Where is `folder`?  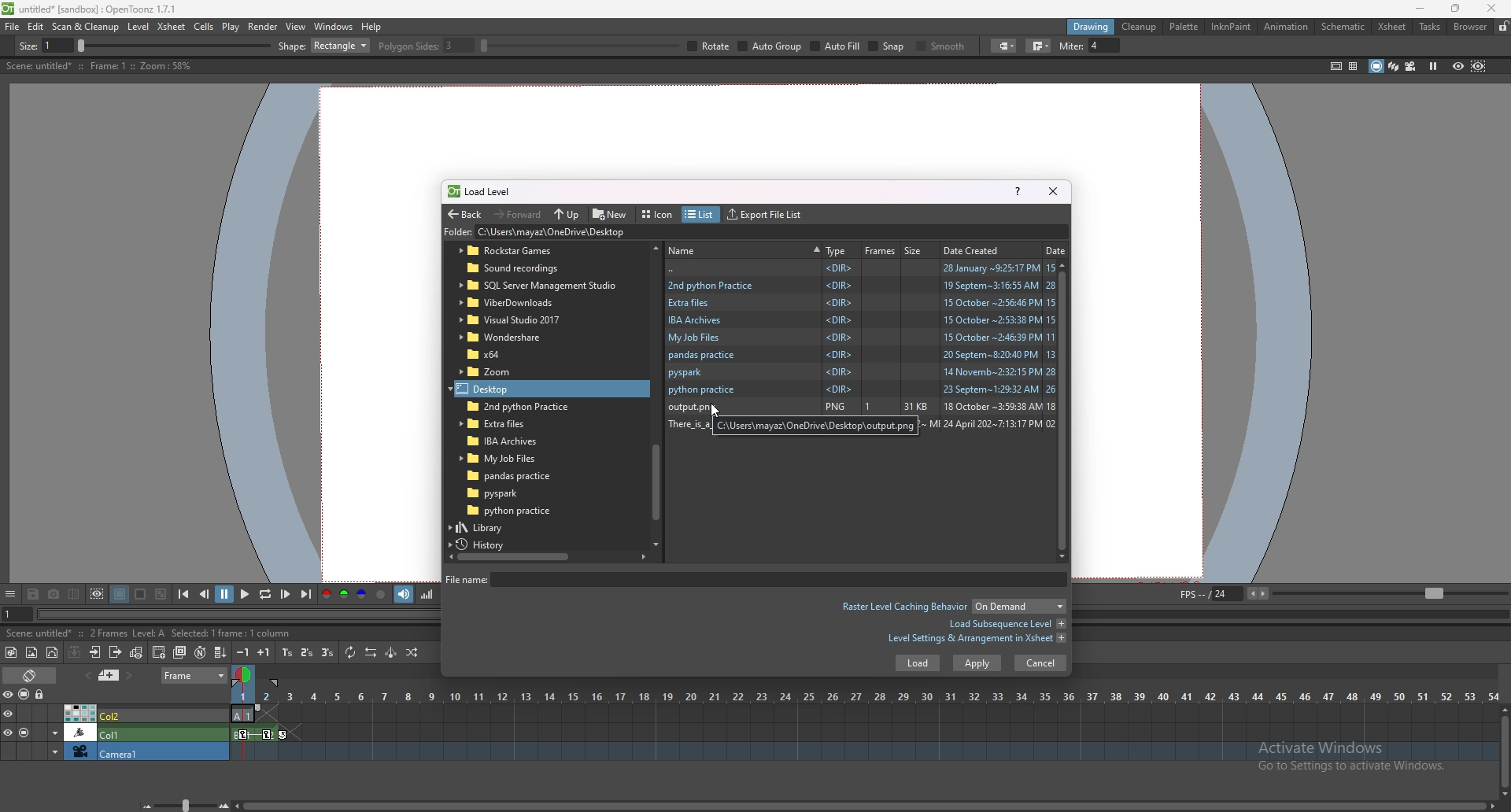 folder is located at coordinates (512, 320).